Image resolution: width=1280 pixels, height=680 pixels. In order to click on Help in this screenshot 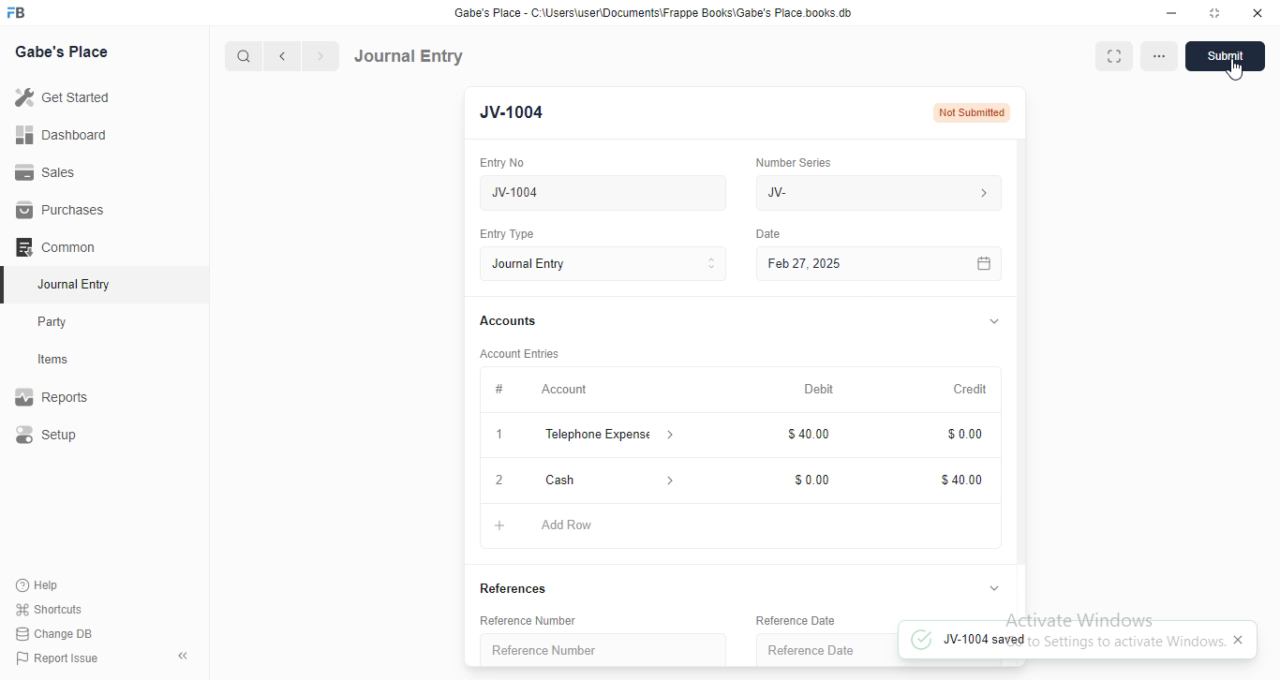, I will do `click(36, 585)`.